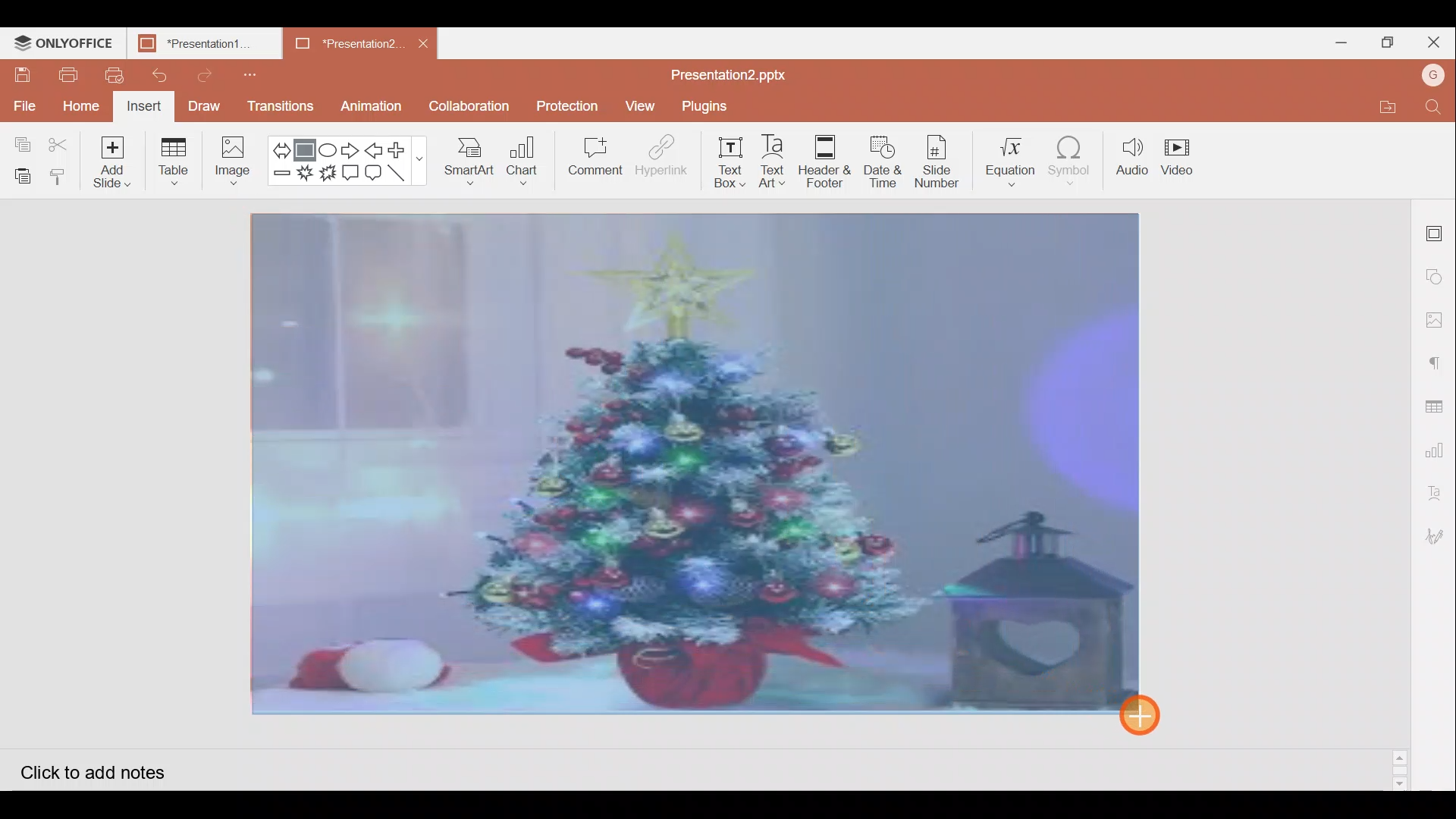  Describe the element at coordinates (329, 176) in the screenshot. I see `Explosion 2` at that location.